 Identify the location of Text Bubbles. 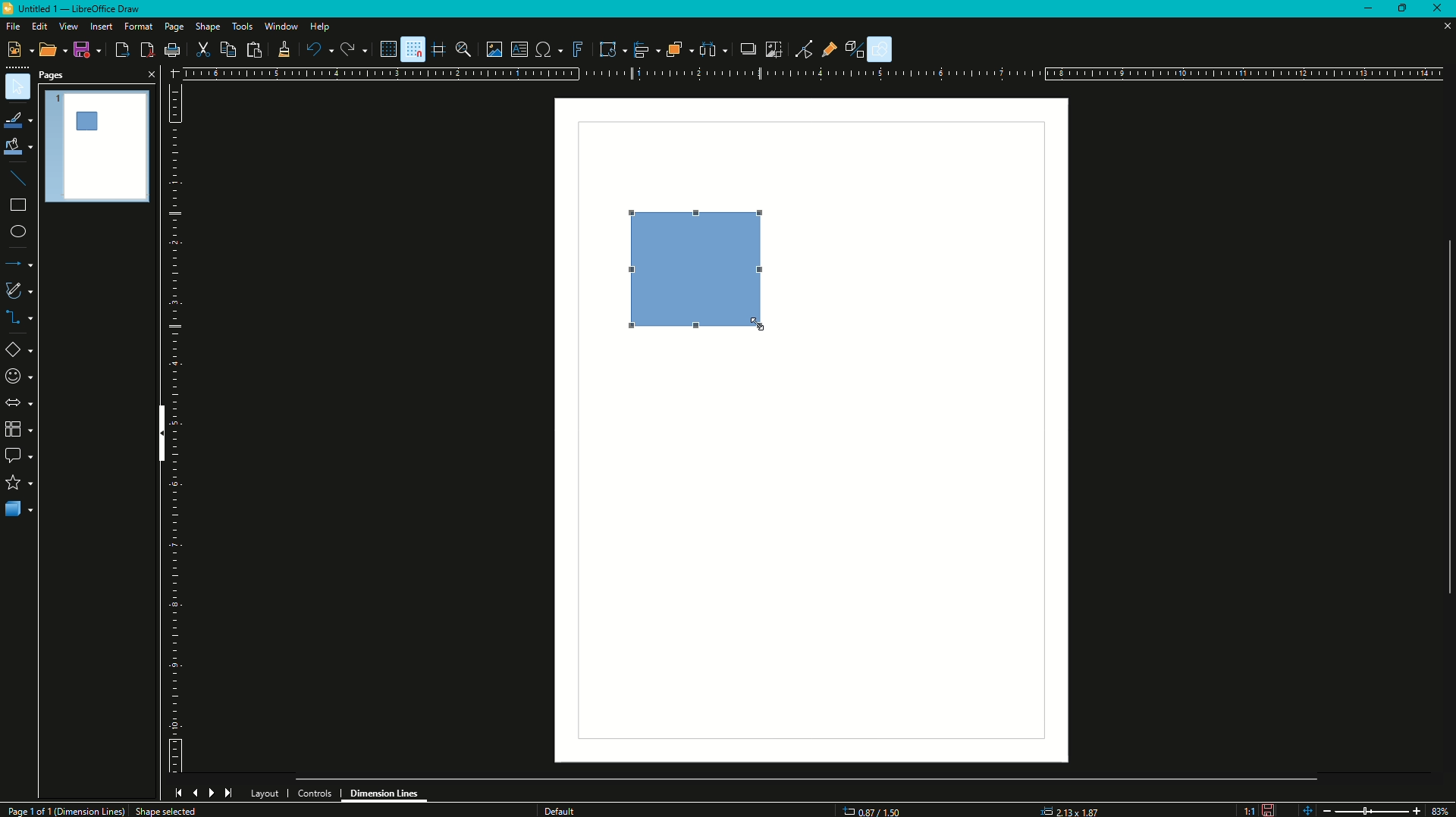
(20, 457).